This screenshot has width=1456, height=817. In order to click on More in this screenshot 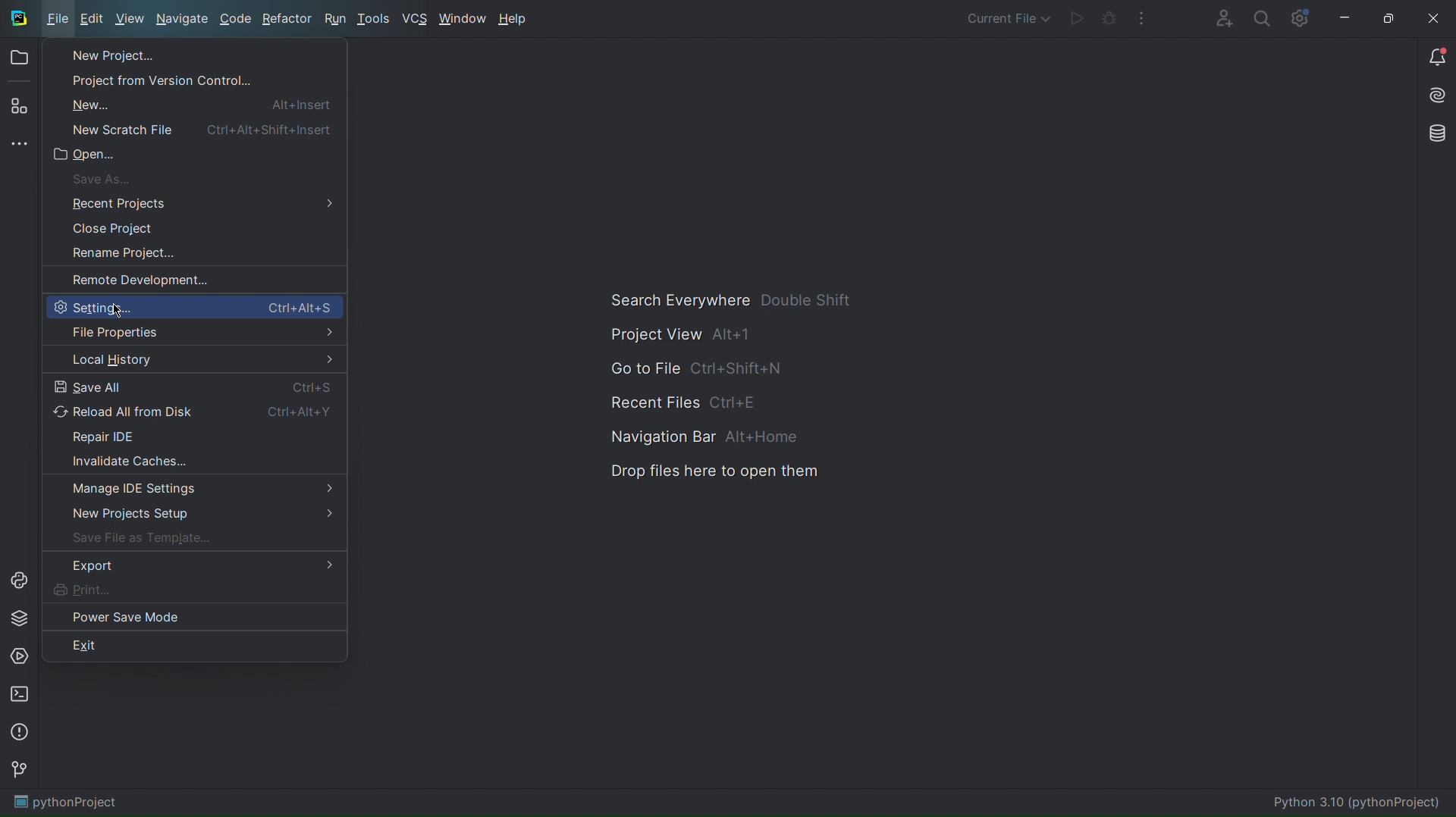, I will do `click(1142, 19)`.